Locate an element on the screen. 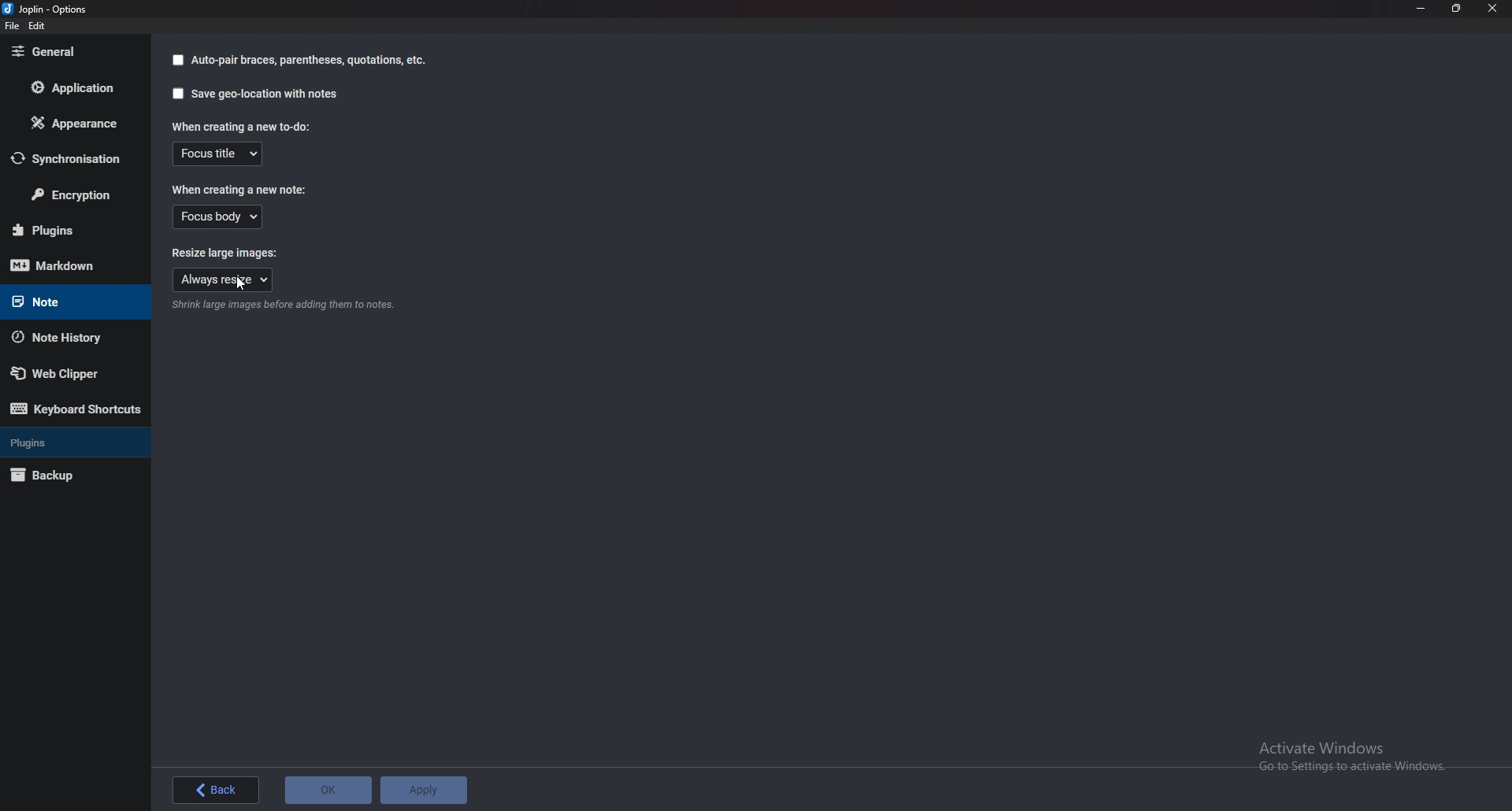 This screenshot has width=1512, height=811. Close is located at coordinates (1492, 8).